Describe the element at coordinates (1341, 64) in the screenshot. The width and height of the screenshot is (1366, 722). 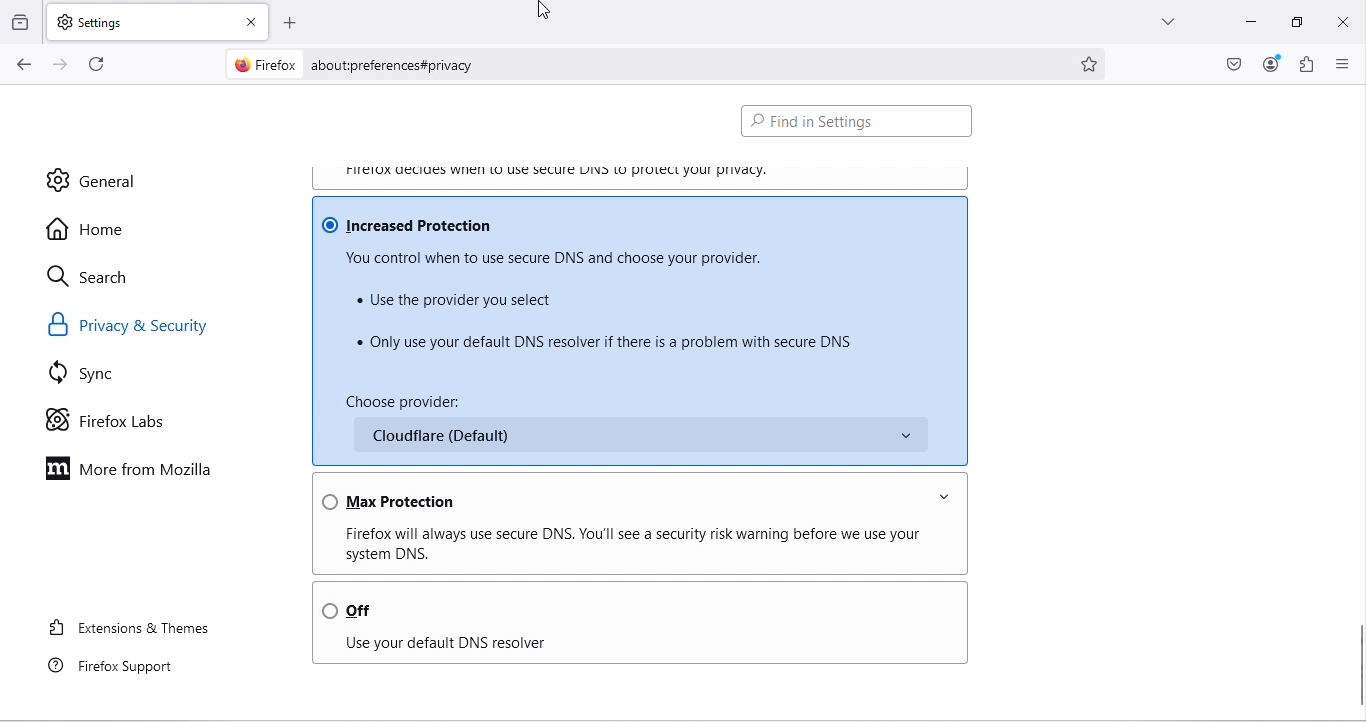
I see `Open application menu` at that location.